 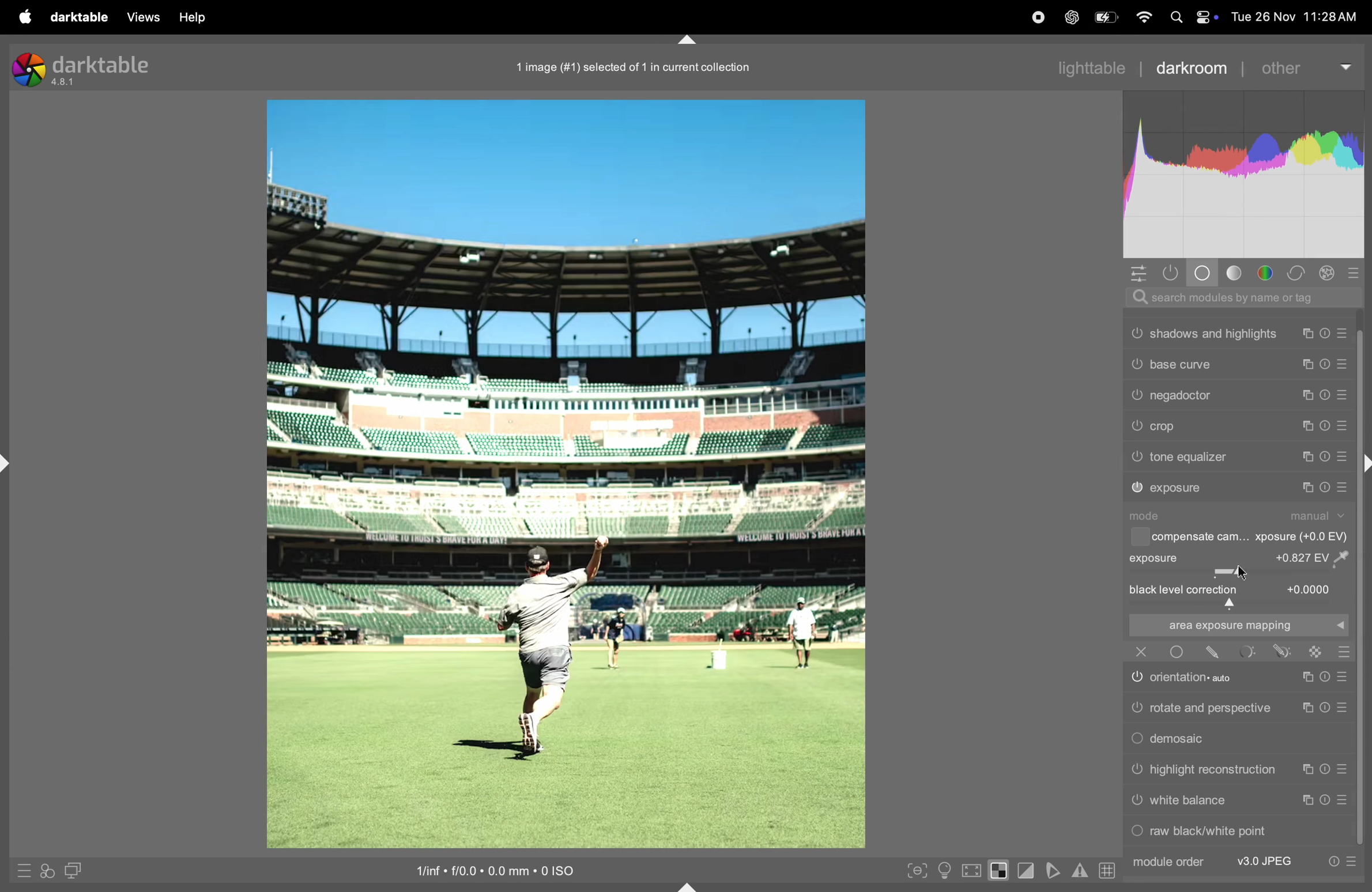 I want to click on white balance, so click(x=1189, y=800).